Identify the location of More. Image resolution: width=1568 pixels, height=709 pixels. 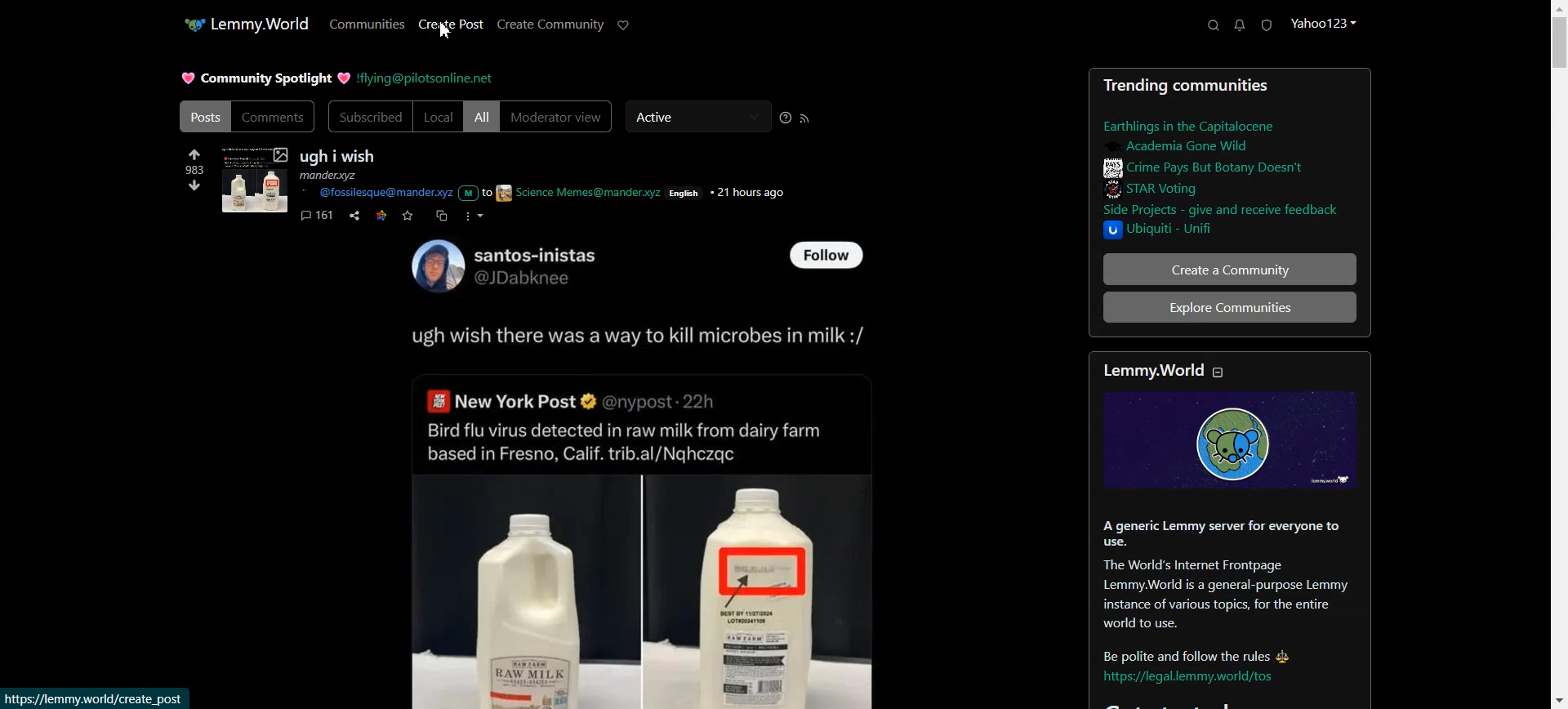
(476, 216).